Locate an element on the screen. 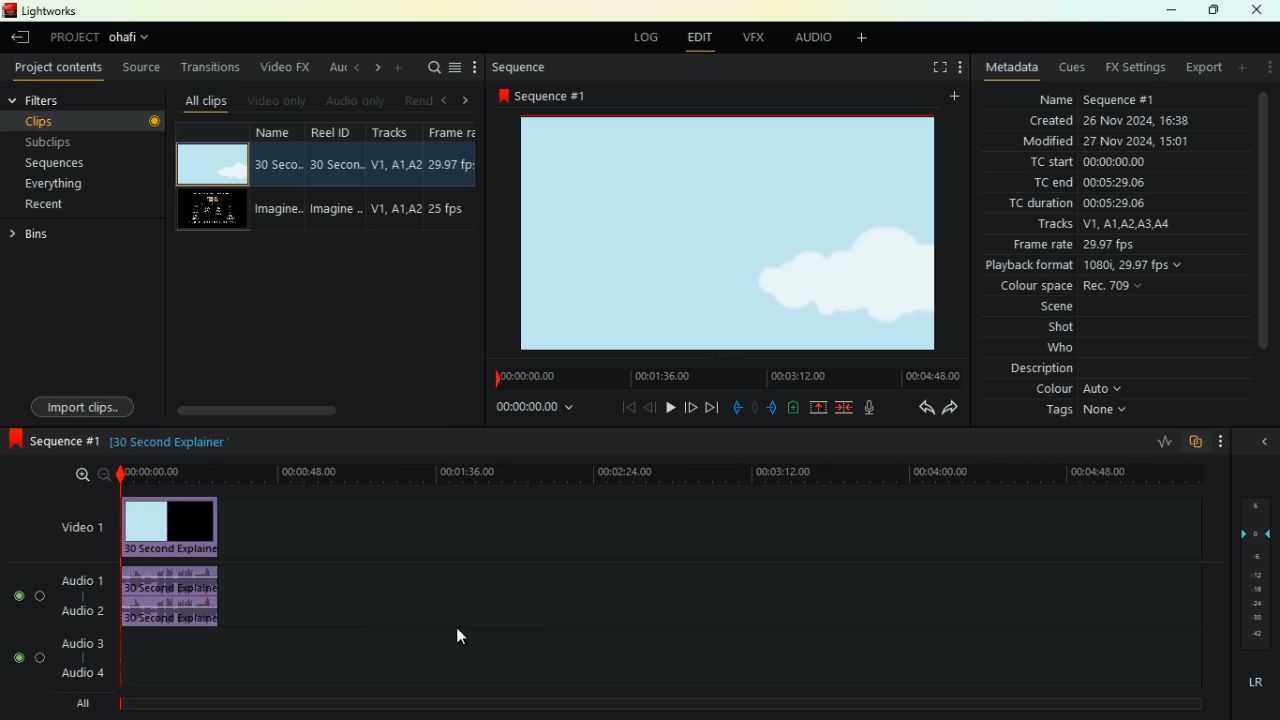 The height and width of the screenshot is (720, 1280). toggle is located at coordinates (17, 656).